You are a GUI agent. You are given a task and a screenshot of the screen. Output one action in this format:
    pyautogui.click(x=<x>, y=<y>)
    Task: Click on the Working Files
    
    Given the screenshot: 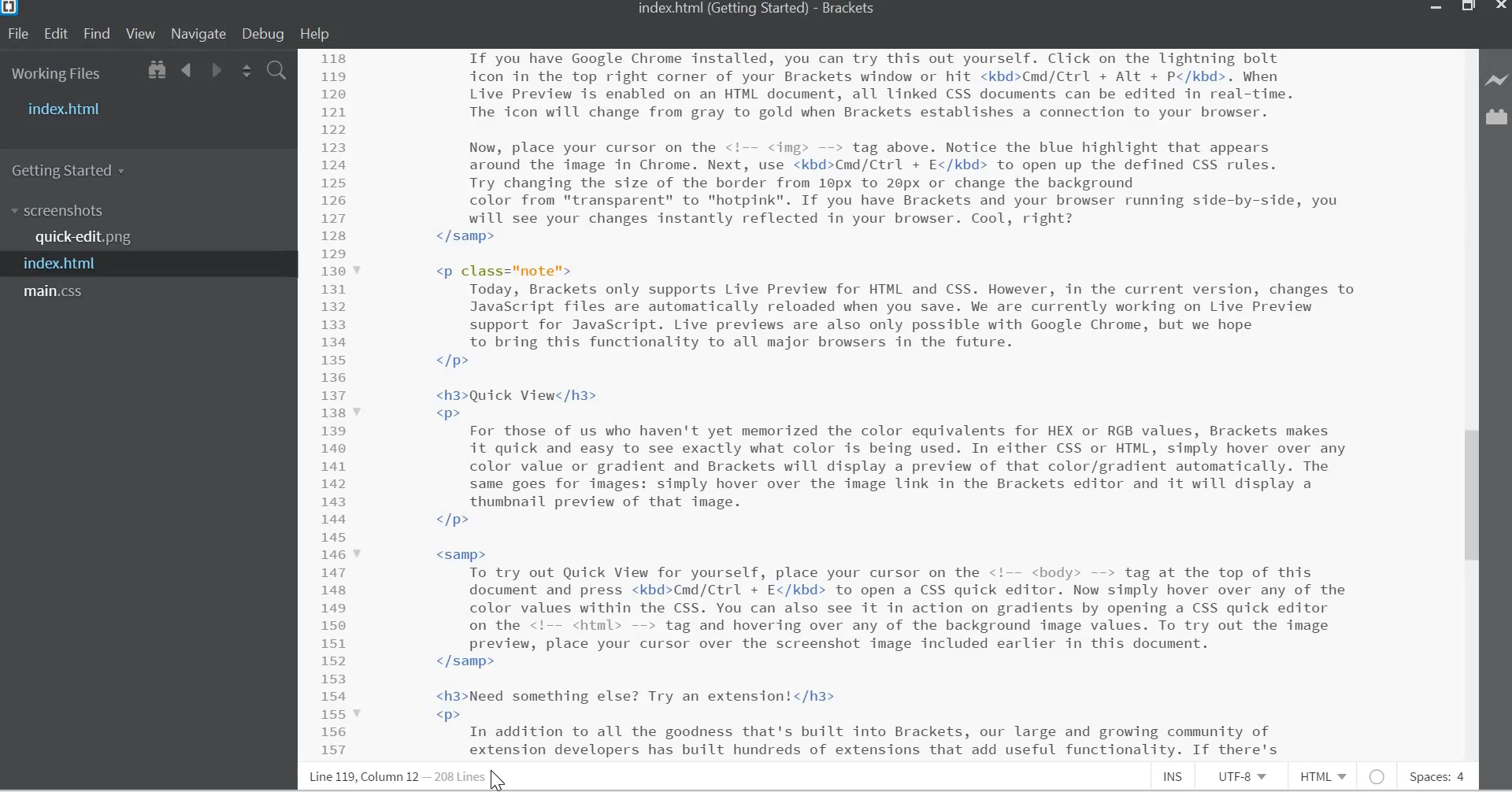 What is the action you would take?
    pyautogui.click(x=59, y=76)
    